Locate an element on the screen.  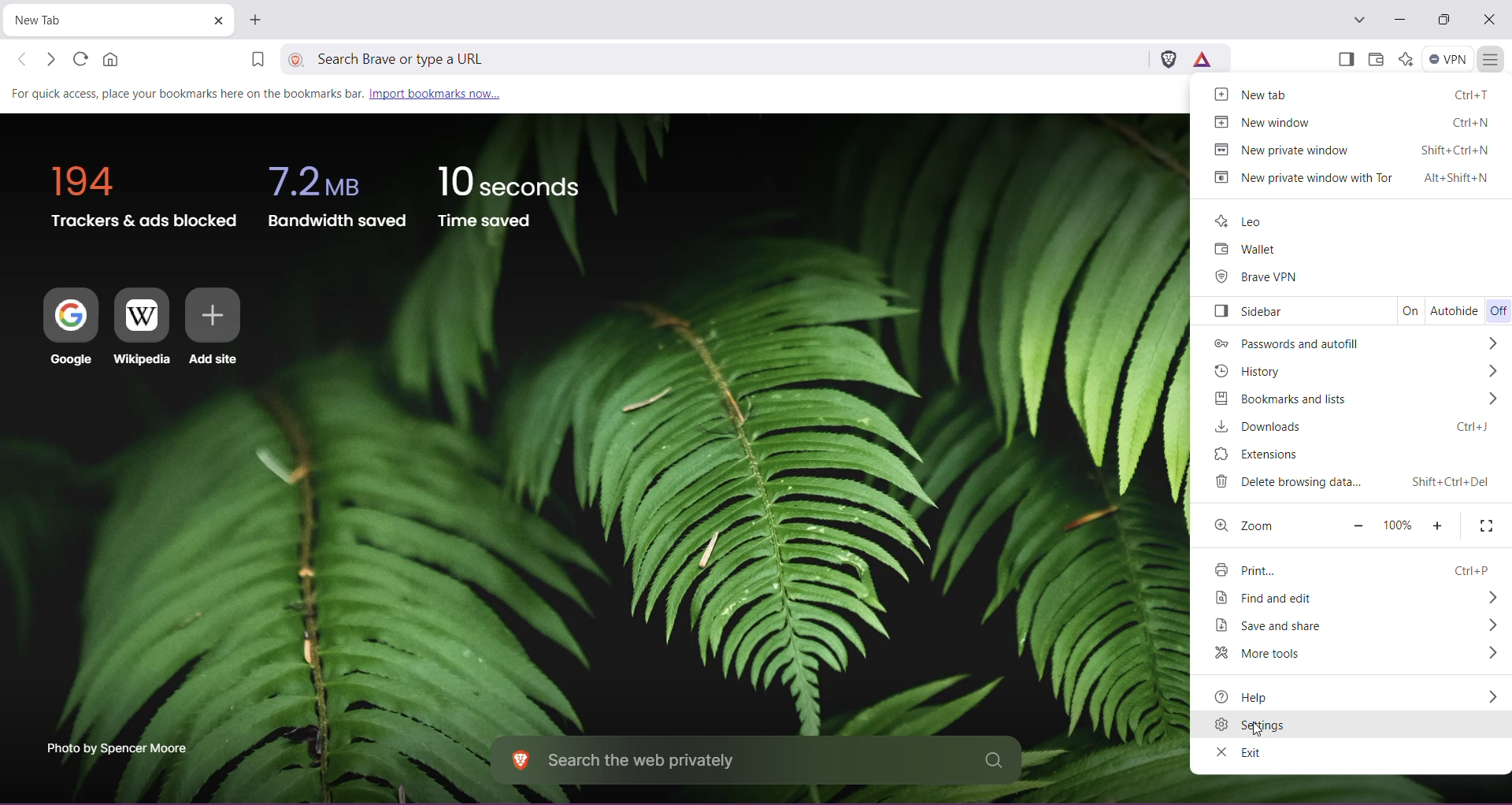
Import Bookmarks now is located at coordinates (264, 92).